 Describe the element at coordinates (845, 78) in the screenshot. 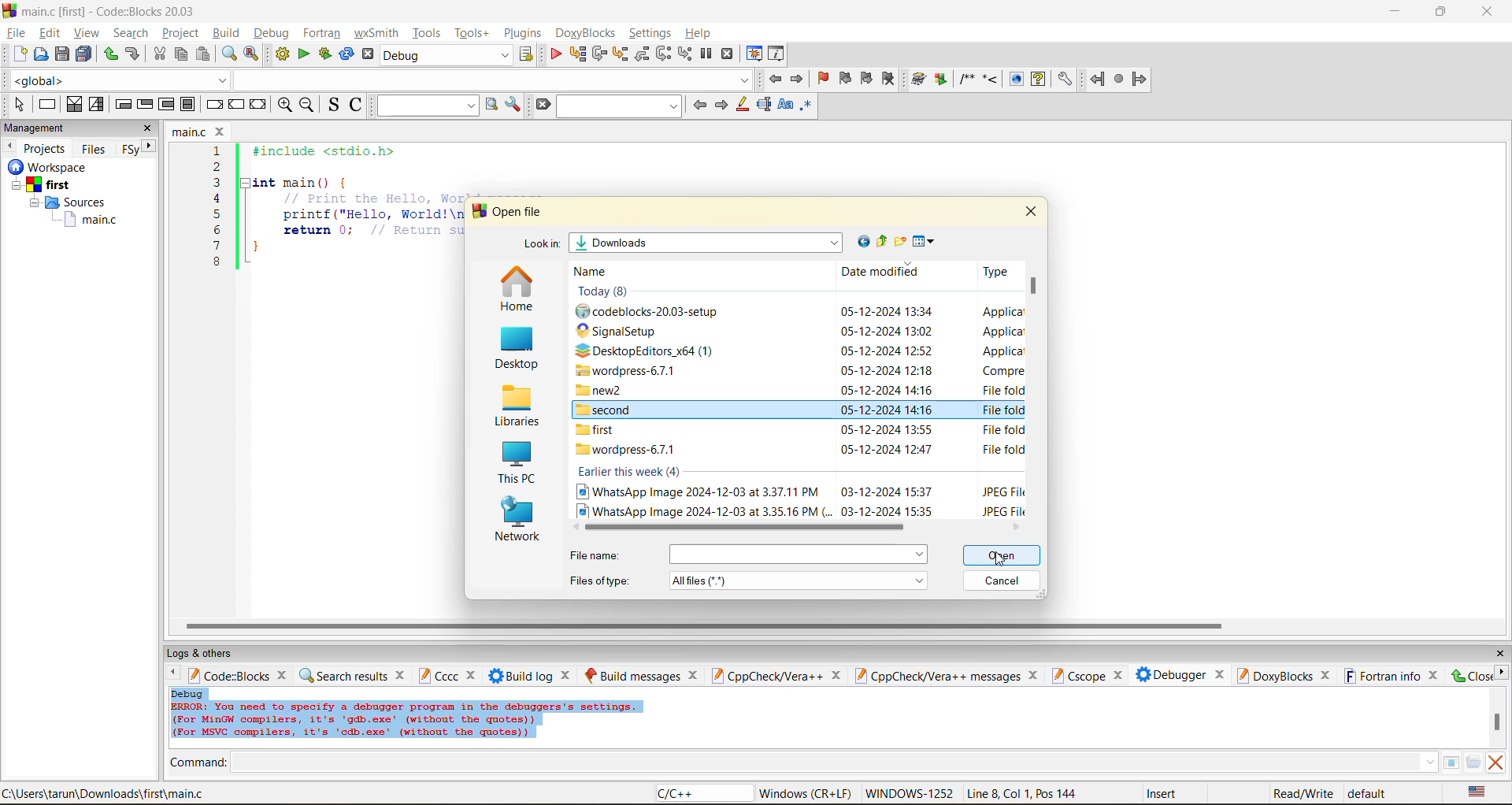

I see `previous bookmark` at that location.